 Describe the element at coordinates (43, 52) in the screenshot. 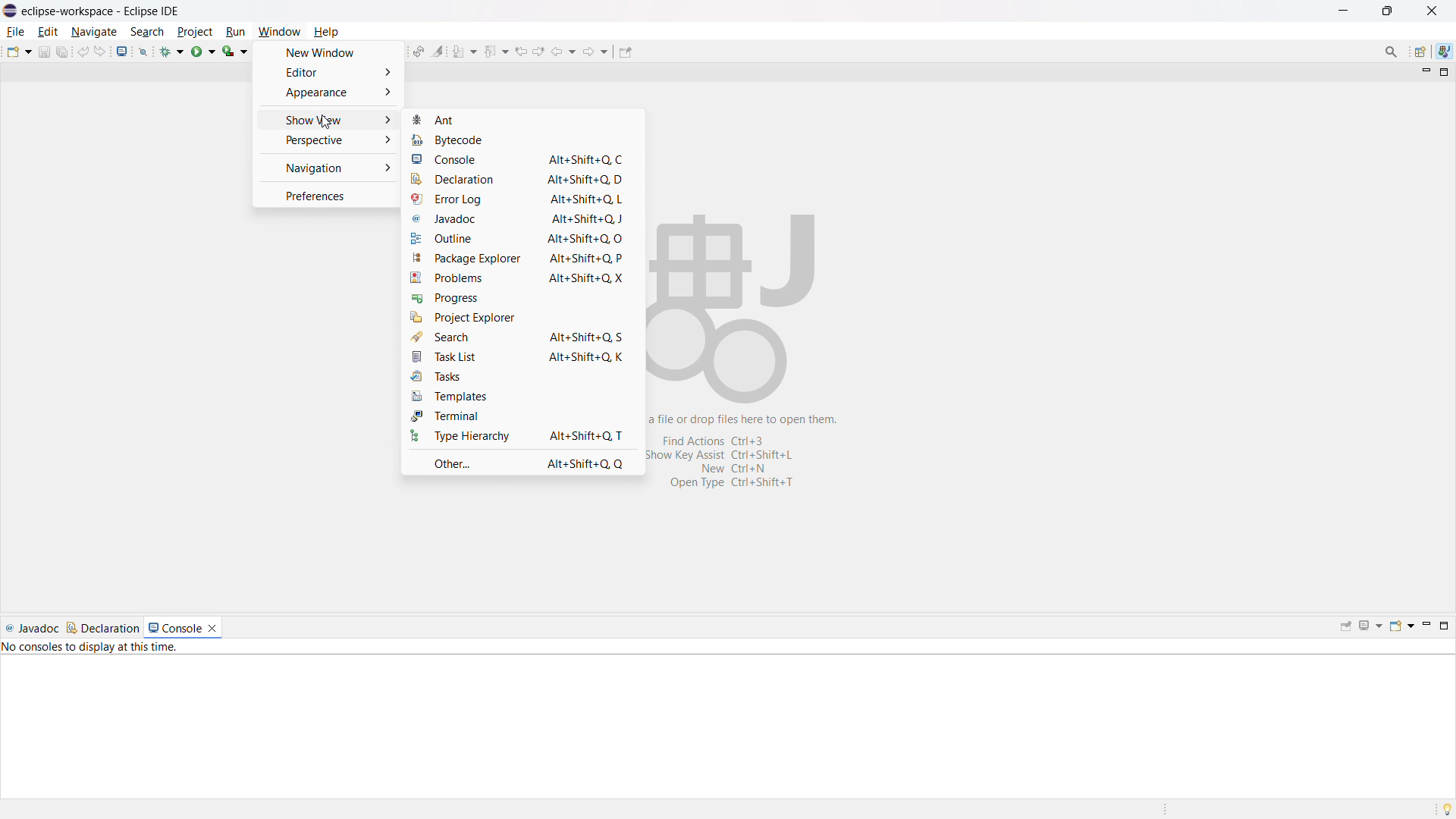

I see `save` at that location.